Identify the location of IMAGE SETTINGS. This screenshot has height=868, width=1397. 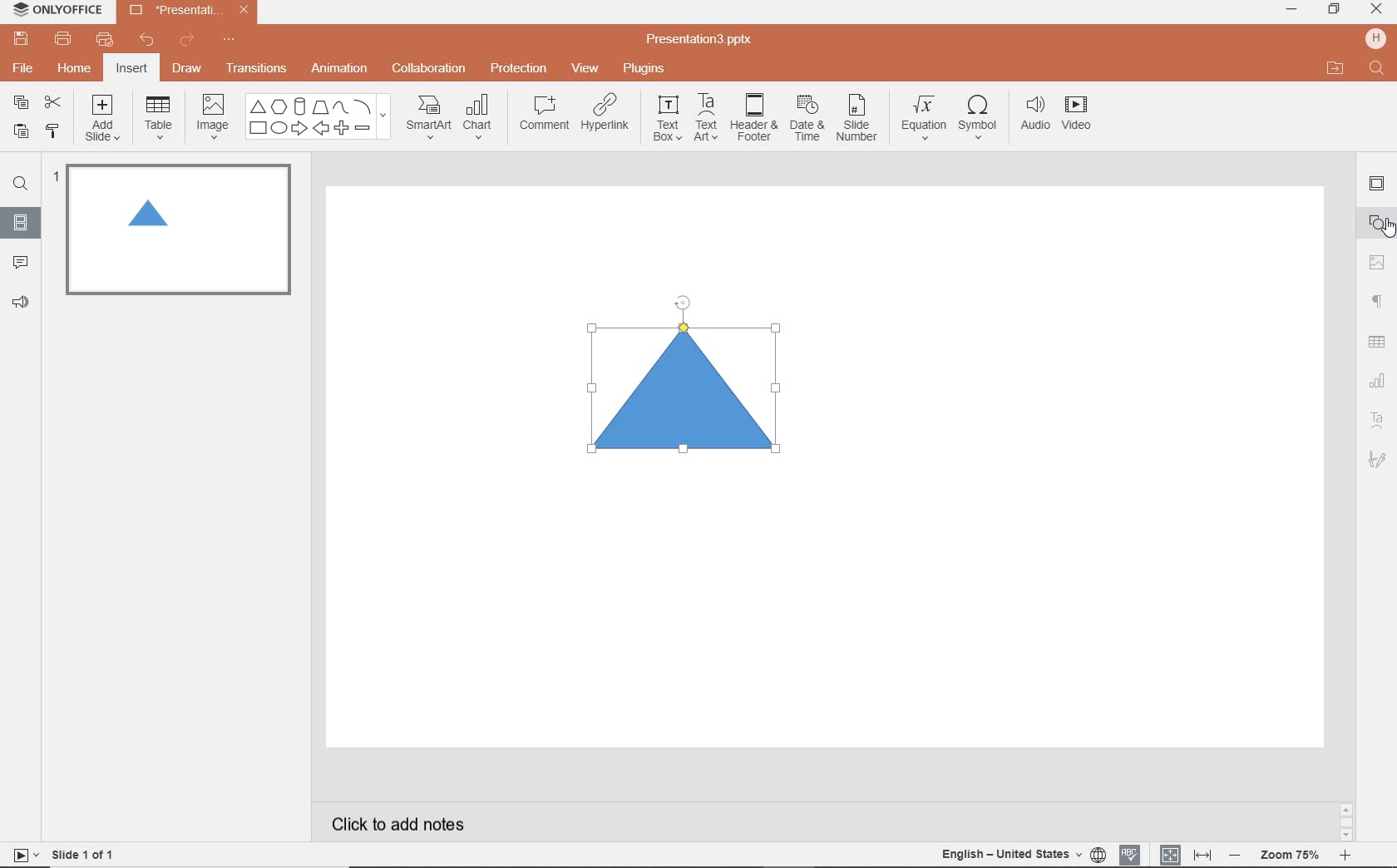
(1377, 262).